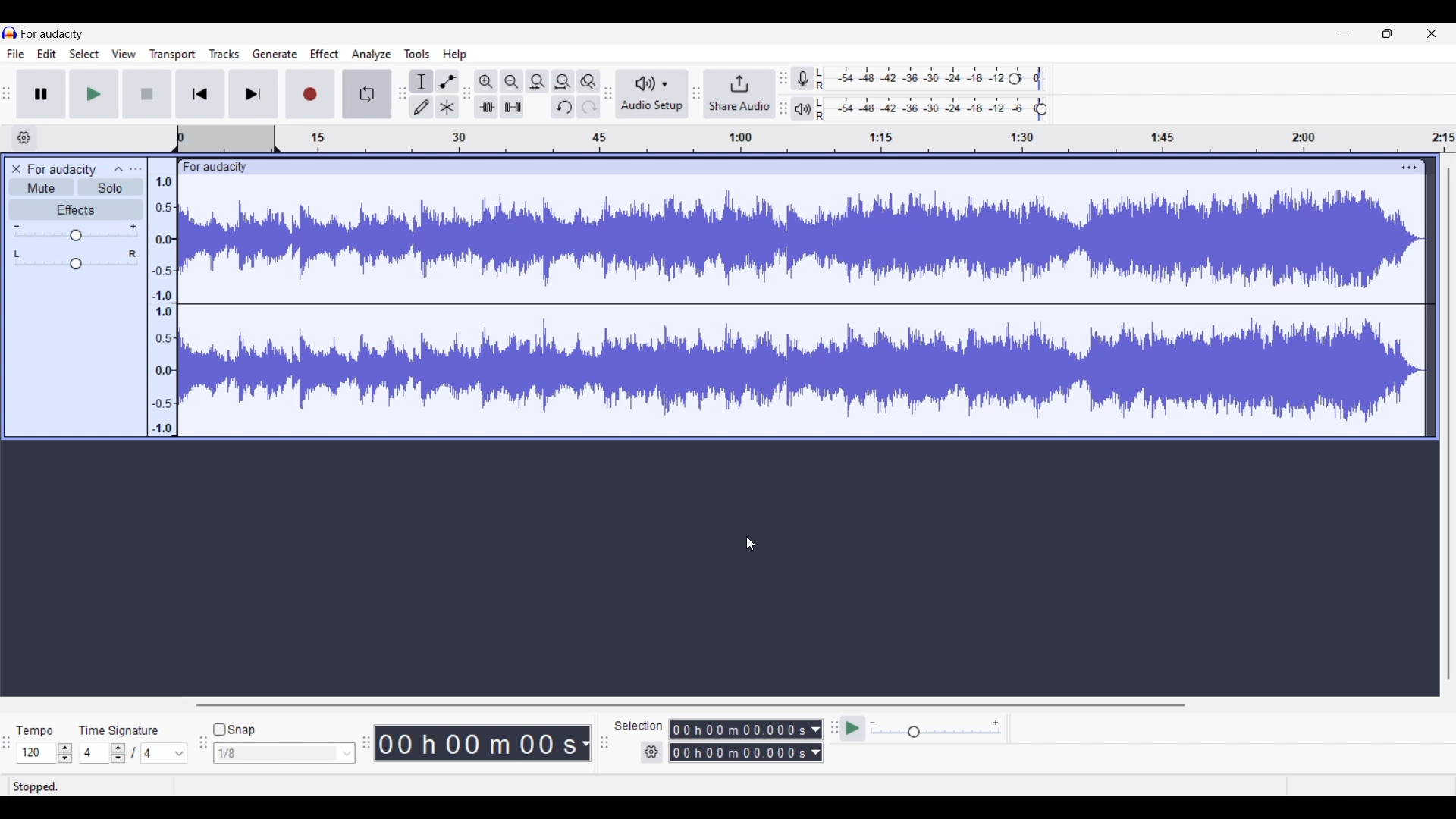  What do you see at coordinates (942, 109) in the screenshot?
I see `Playback level` at bounding box center [942, 109].